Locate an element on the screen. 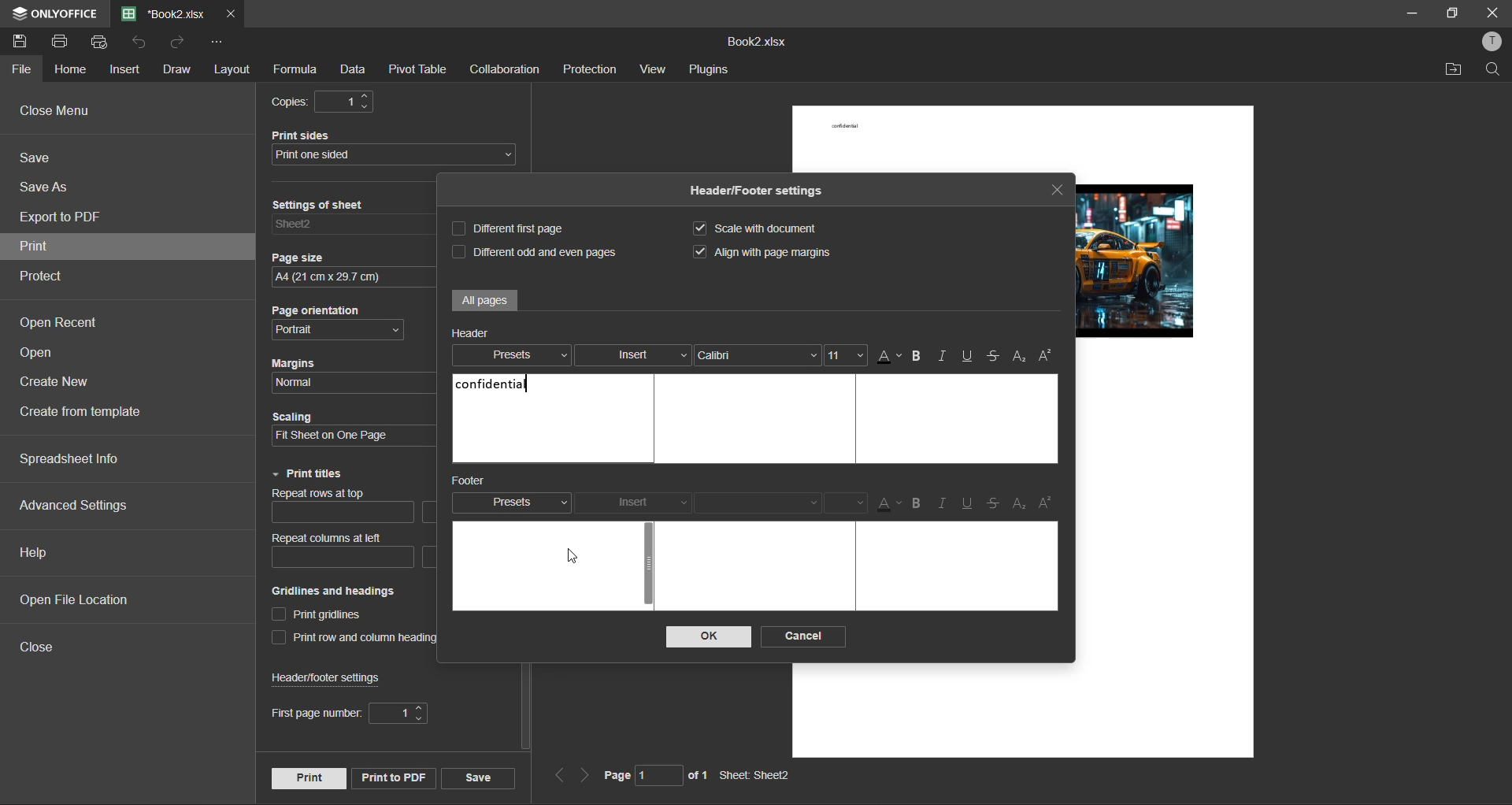  footer is located at coordinates (472, 480).